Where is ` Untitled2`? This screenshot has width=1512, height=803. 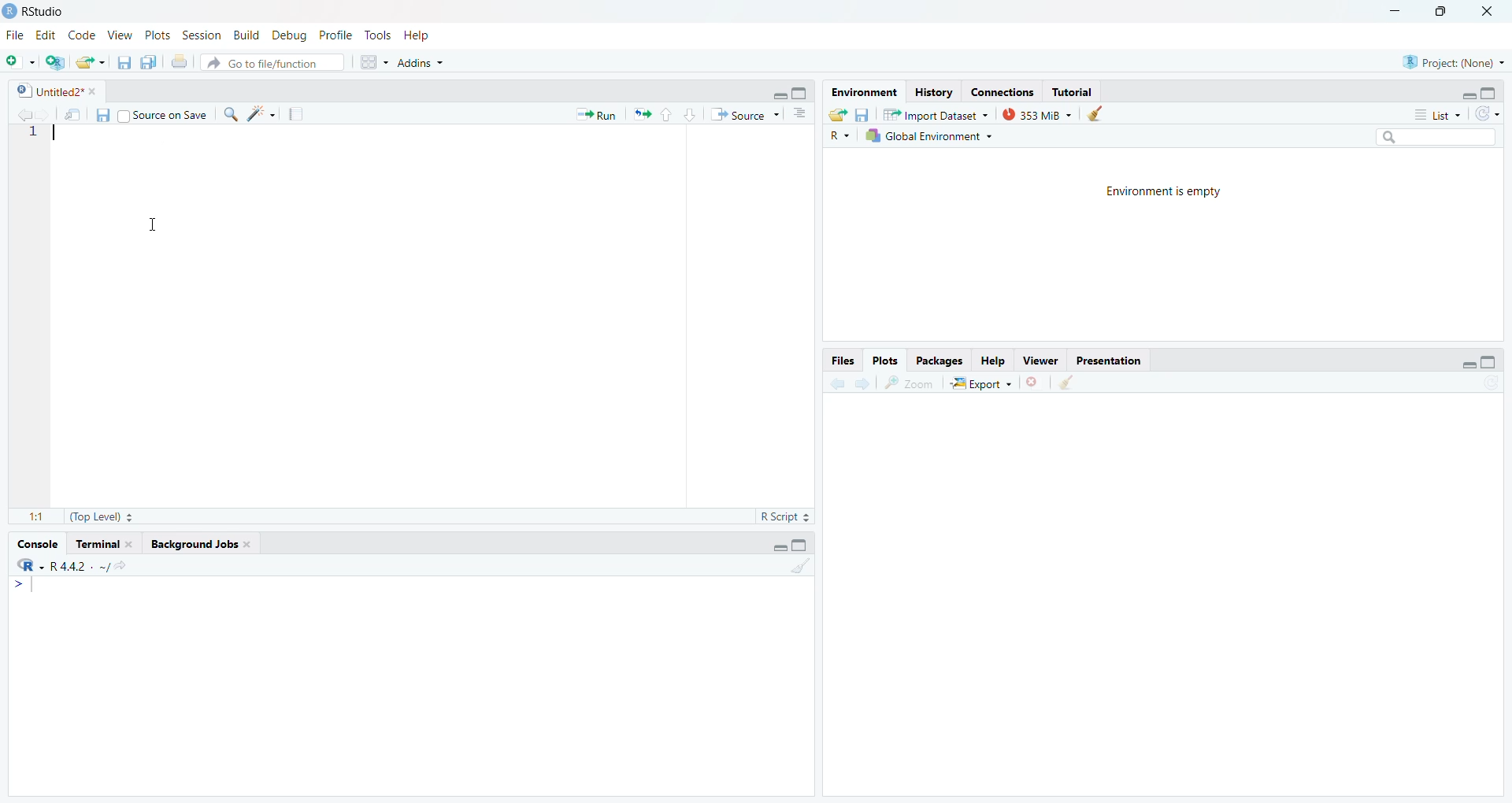  Untitled2 is located at coordinates (53, 91).